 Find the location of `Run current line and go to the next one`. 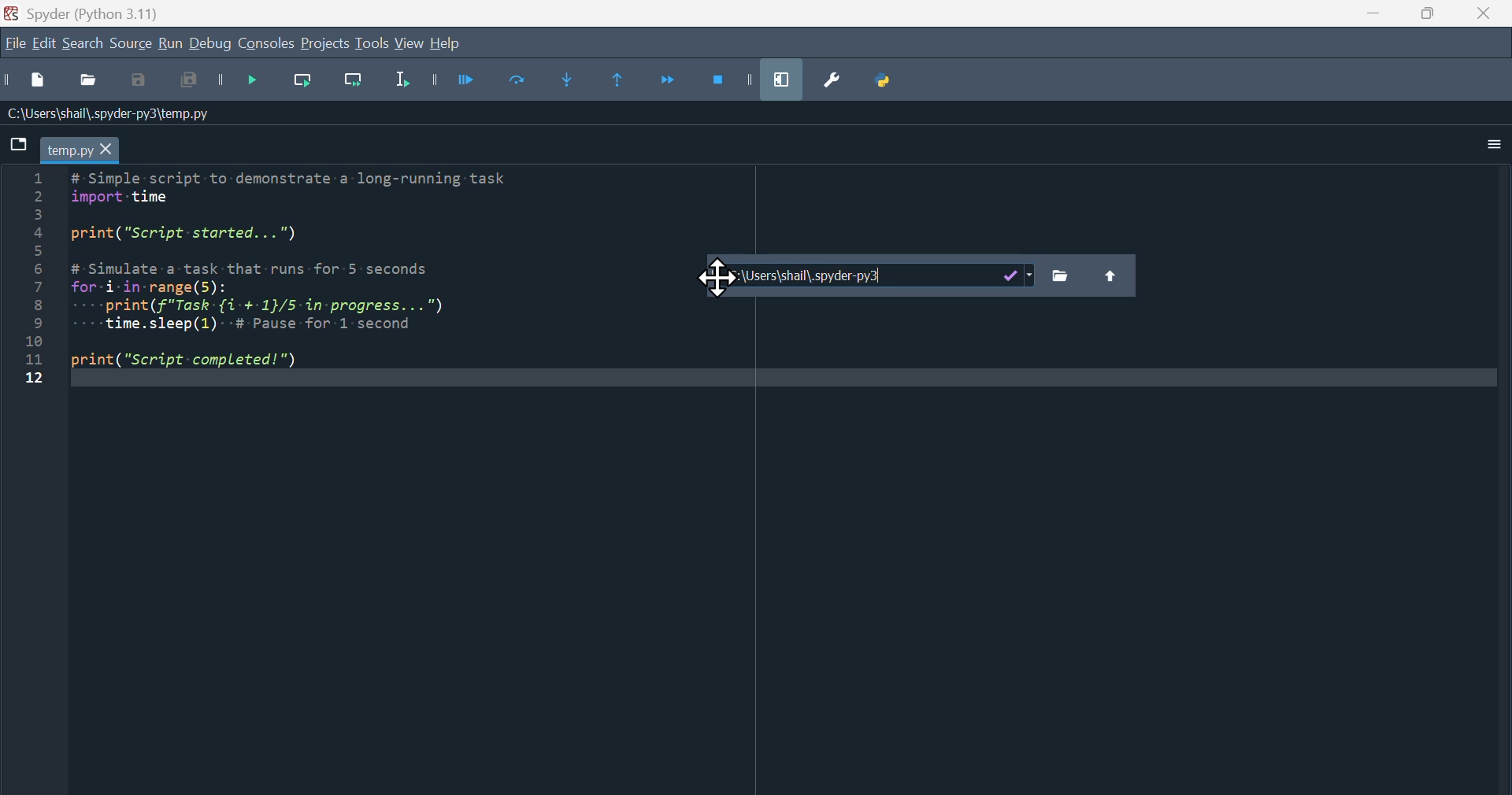

Run current line and go to the next one is located at coordinates (355, 83).